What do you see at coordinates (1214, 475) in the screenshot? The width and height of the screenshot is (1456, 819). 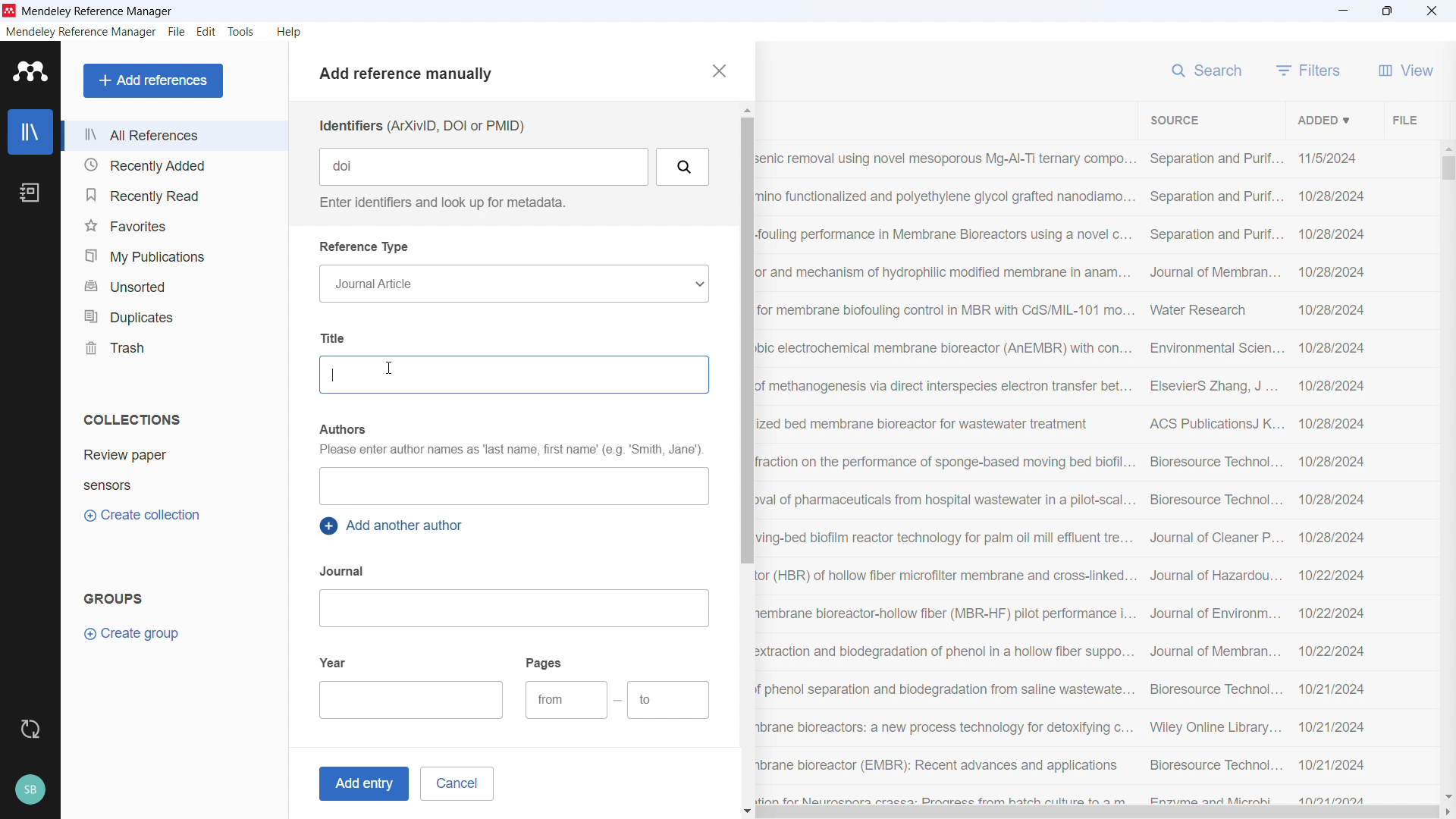 I see `Source of individual entries ` at bounding box center [1214, 475].